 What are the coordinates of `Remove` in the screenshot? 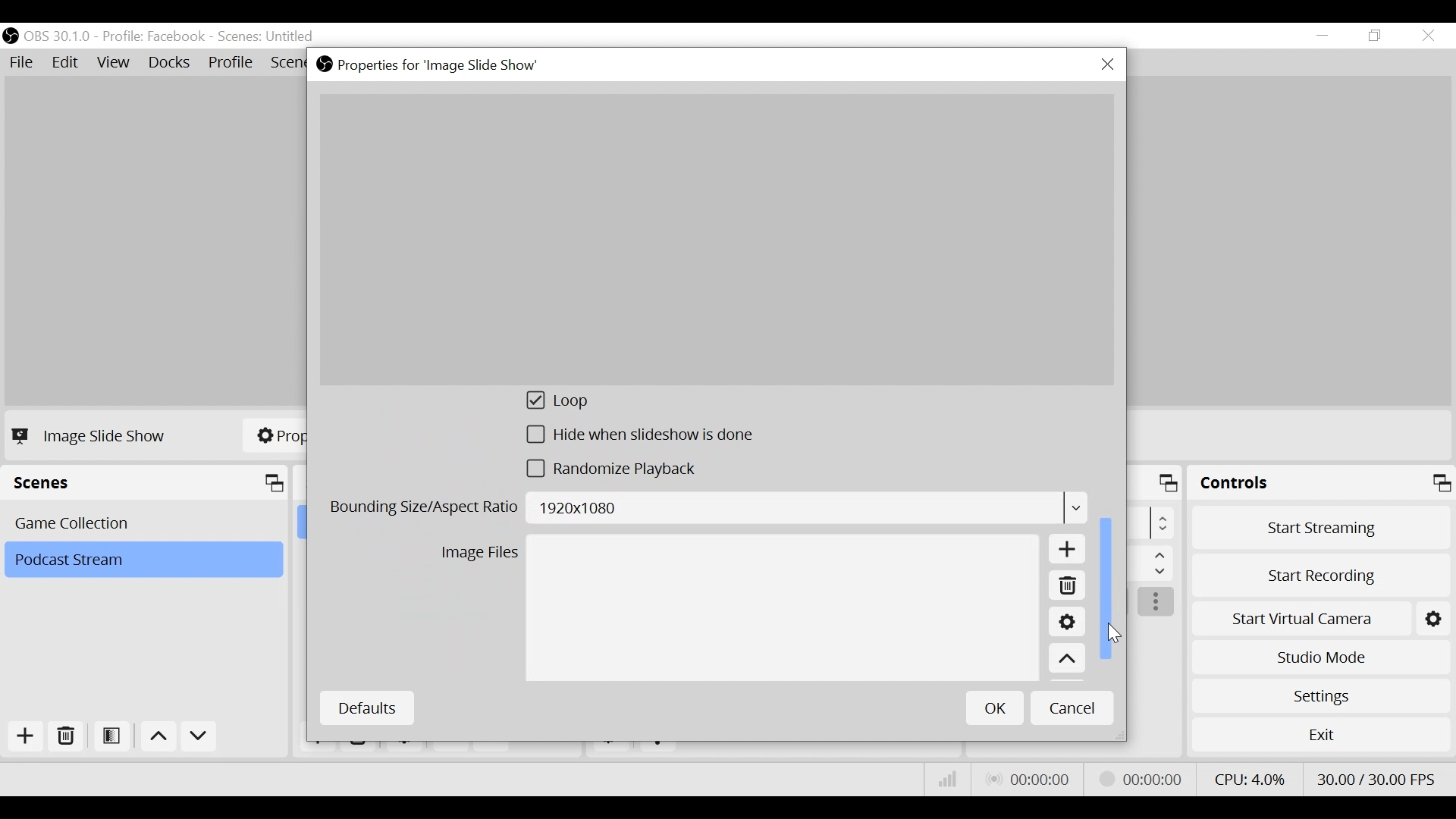 It's located at (67, 737).